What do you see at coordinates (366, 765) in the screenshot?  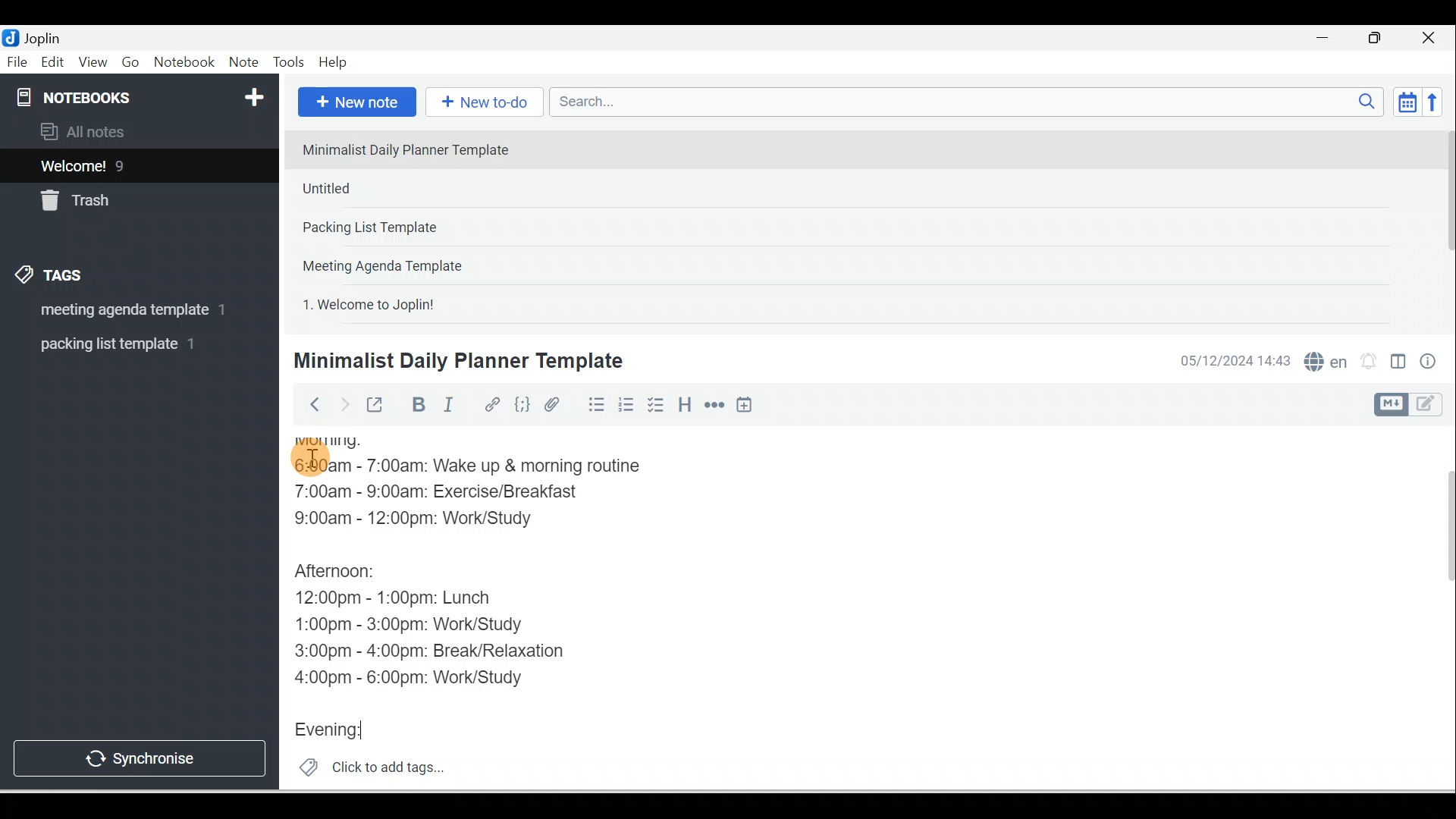 I see `Click to add tags` at bounding box center [366, 765].